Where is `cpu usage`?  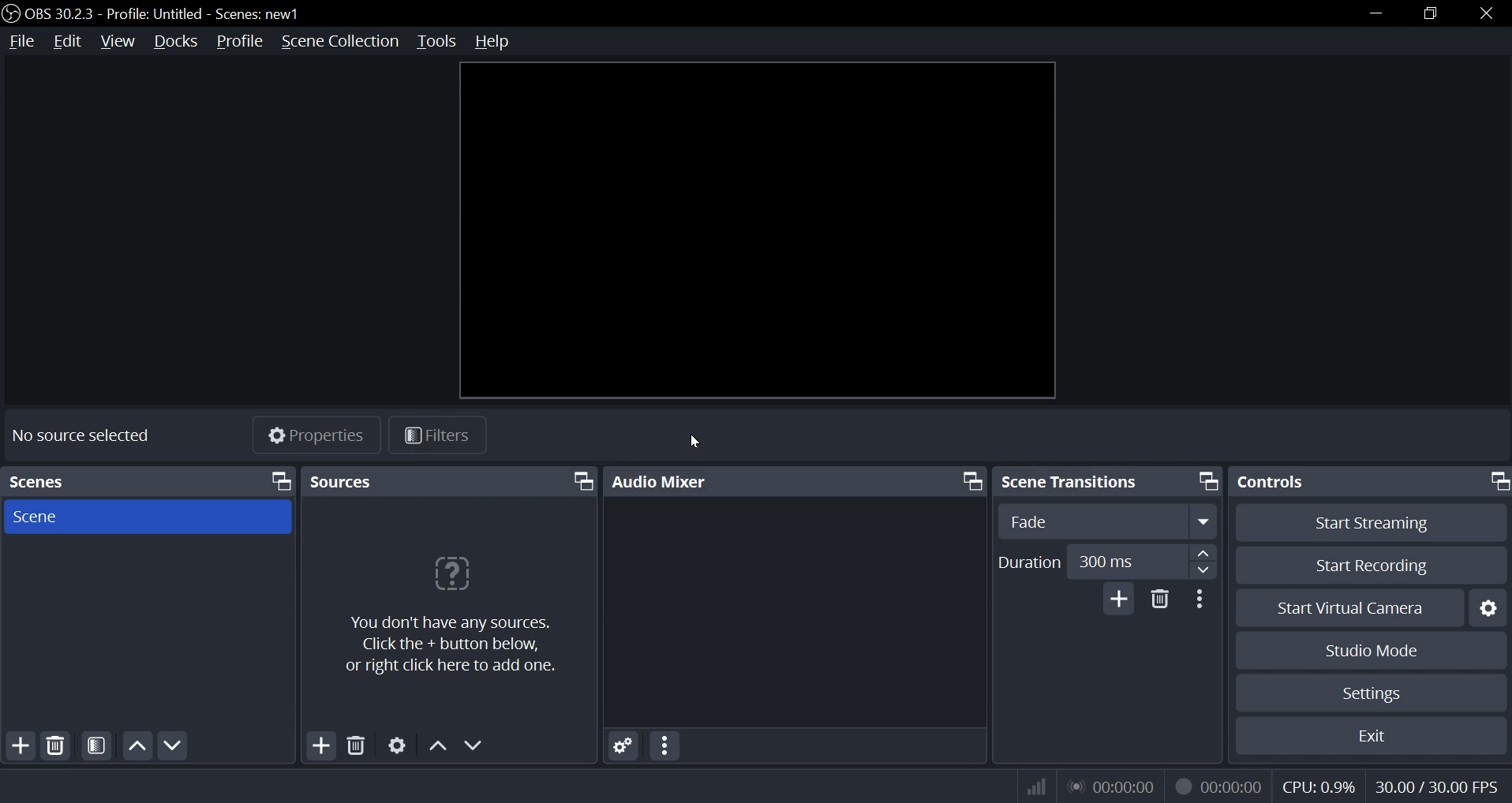
cpu usage is located at coordinates (1319, 786).